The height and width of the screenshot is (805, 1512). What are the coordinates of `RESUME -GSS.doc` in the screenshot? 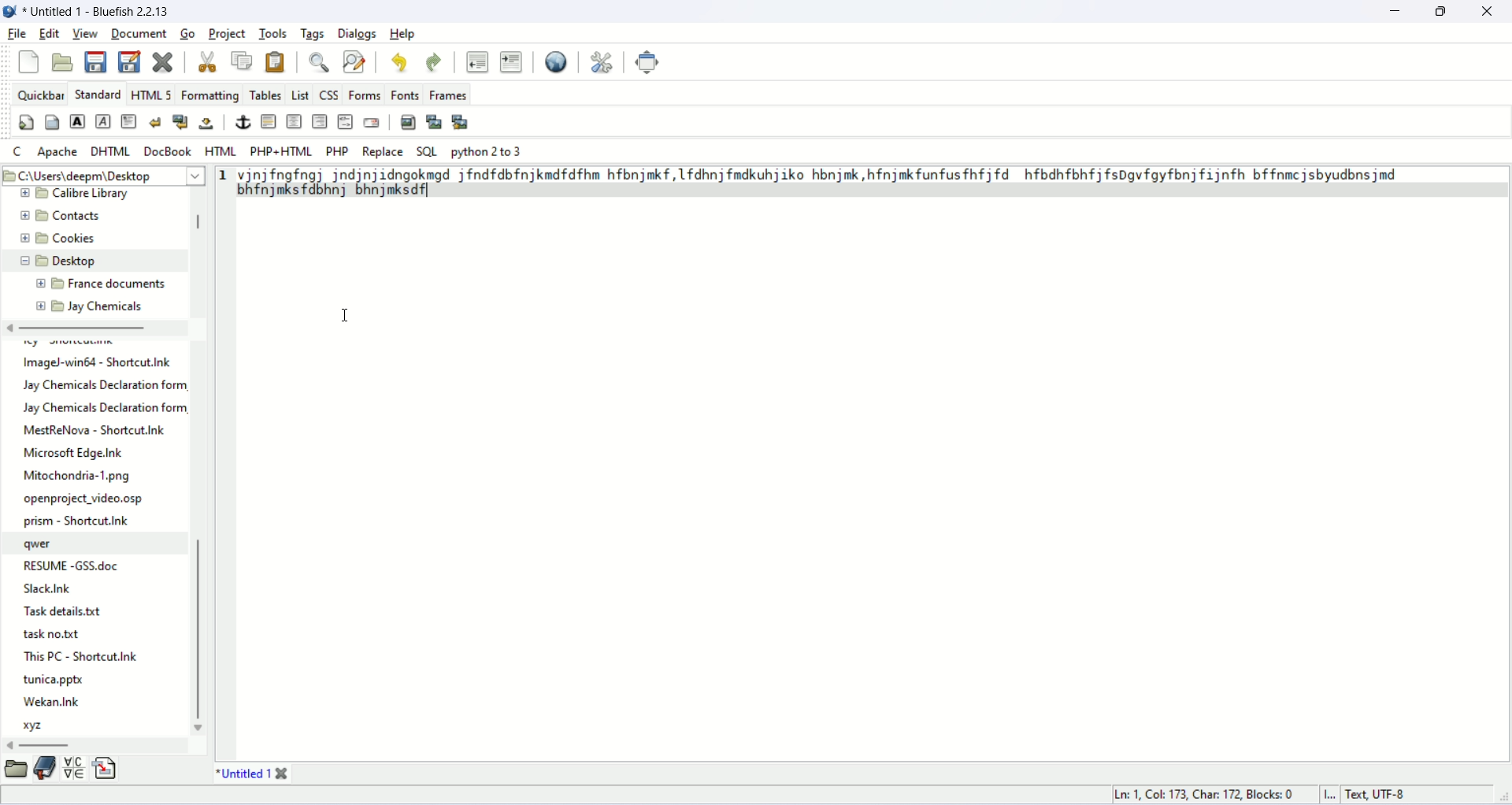 It's located at (73, 563).